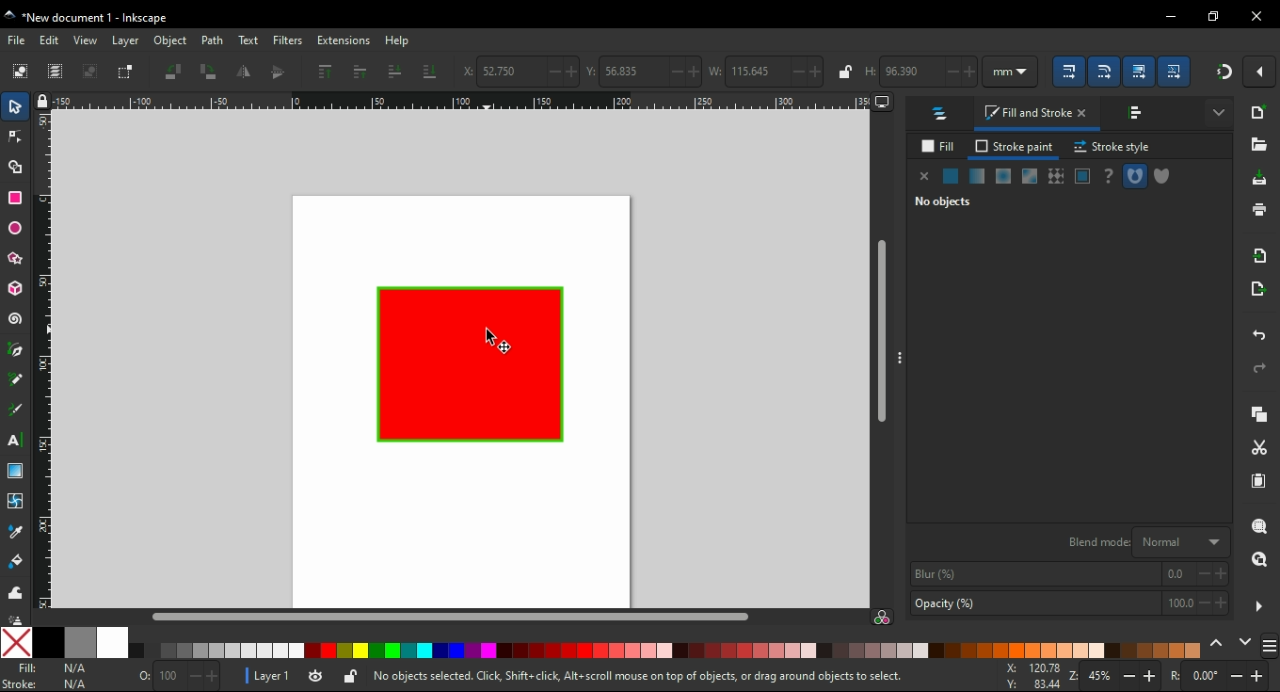 Image resolution: width=1280 pixels, height=692 pixels. What do you see at coordinates (360, 72) in the screenshot?
I see `raise` at bounding box center [360, 72].